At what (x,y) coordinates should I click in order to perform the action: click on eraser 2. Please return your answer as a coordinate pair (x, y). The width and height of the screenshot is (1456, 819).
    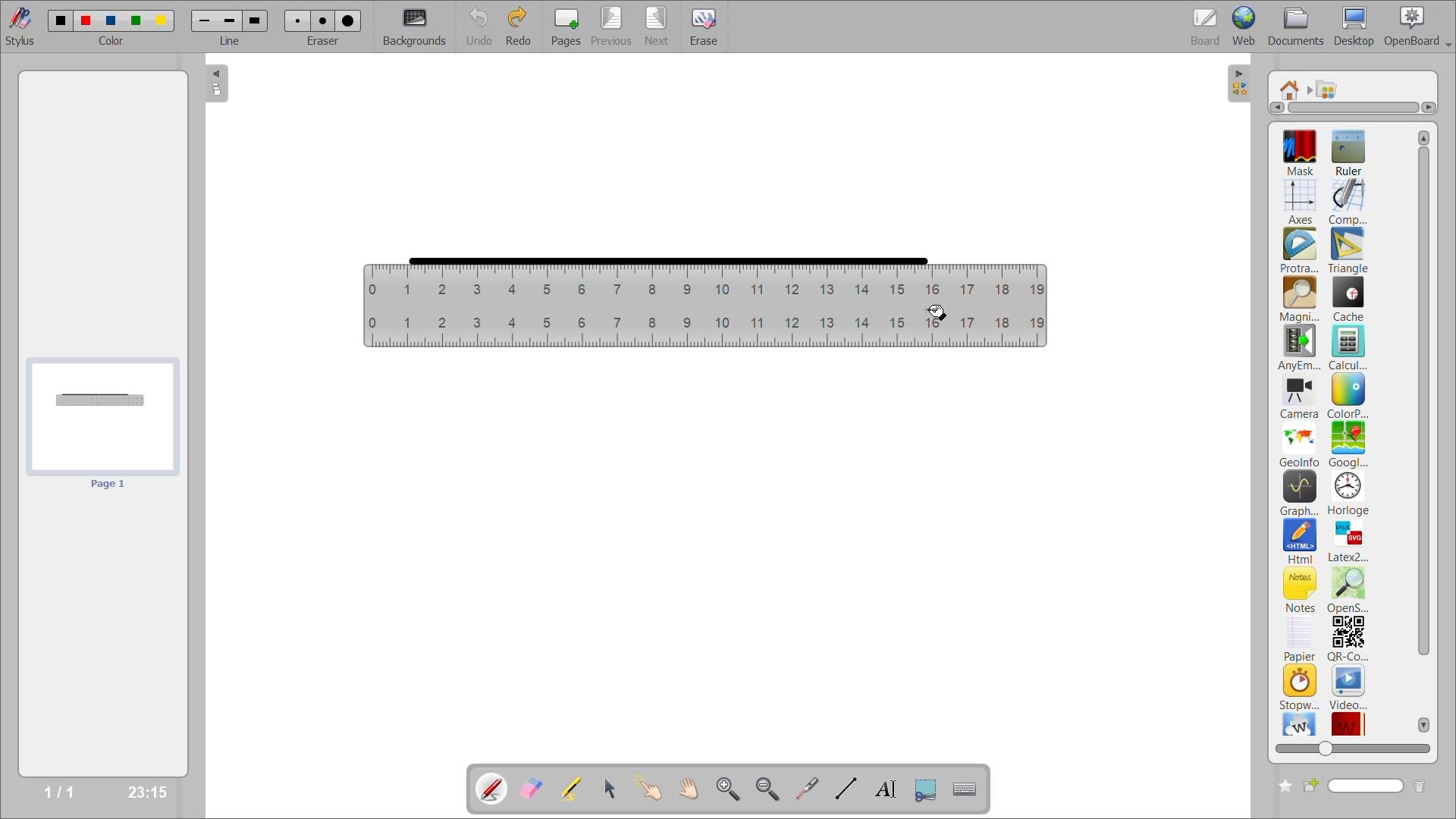
    Looking at the image, I should click on (323, 20).